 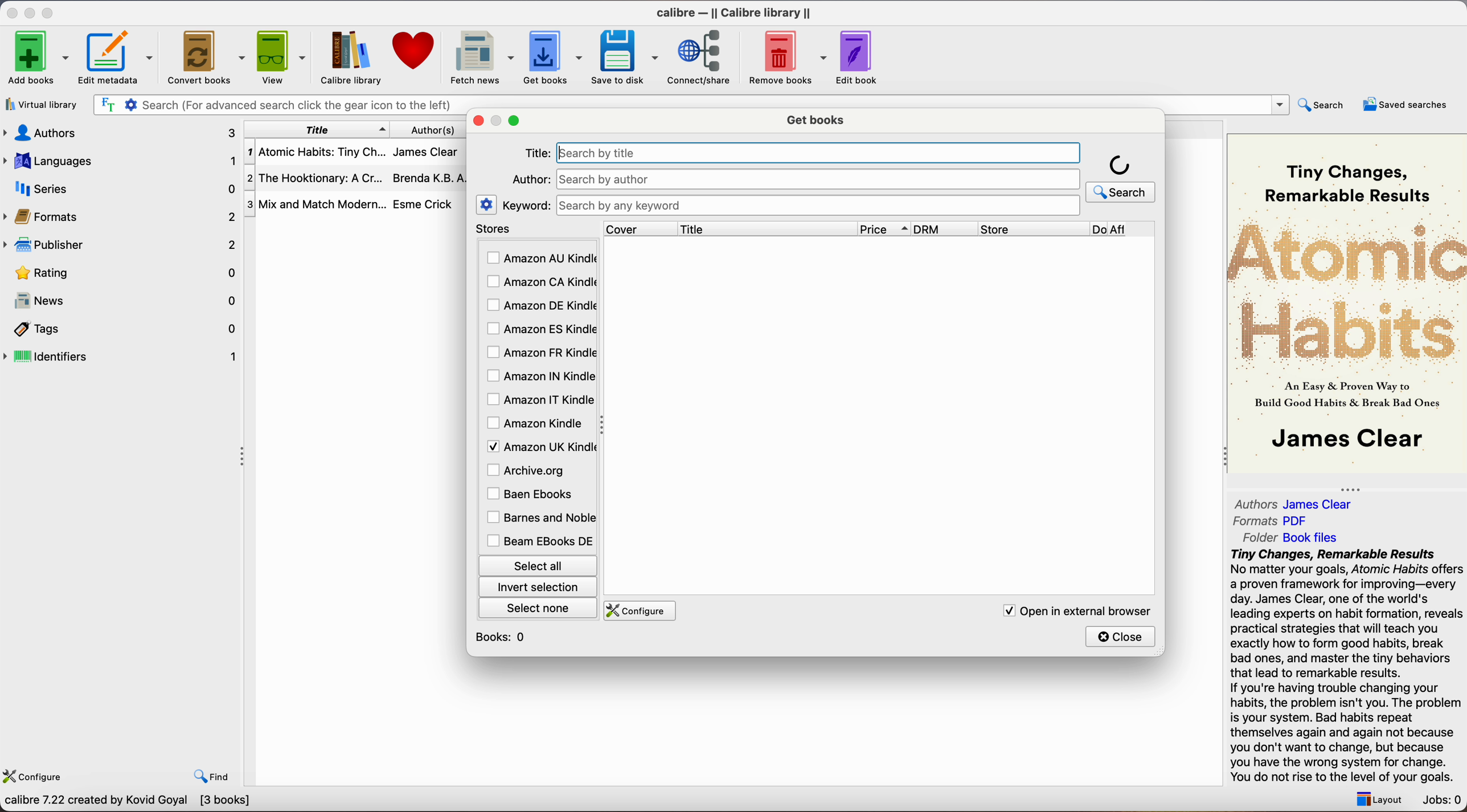 I want to click on authors, so click(x=118, y=132).